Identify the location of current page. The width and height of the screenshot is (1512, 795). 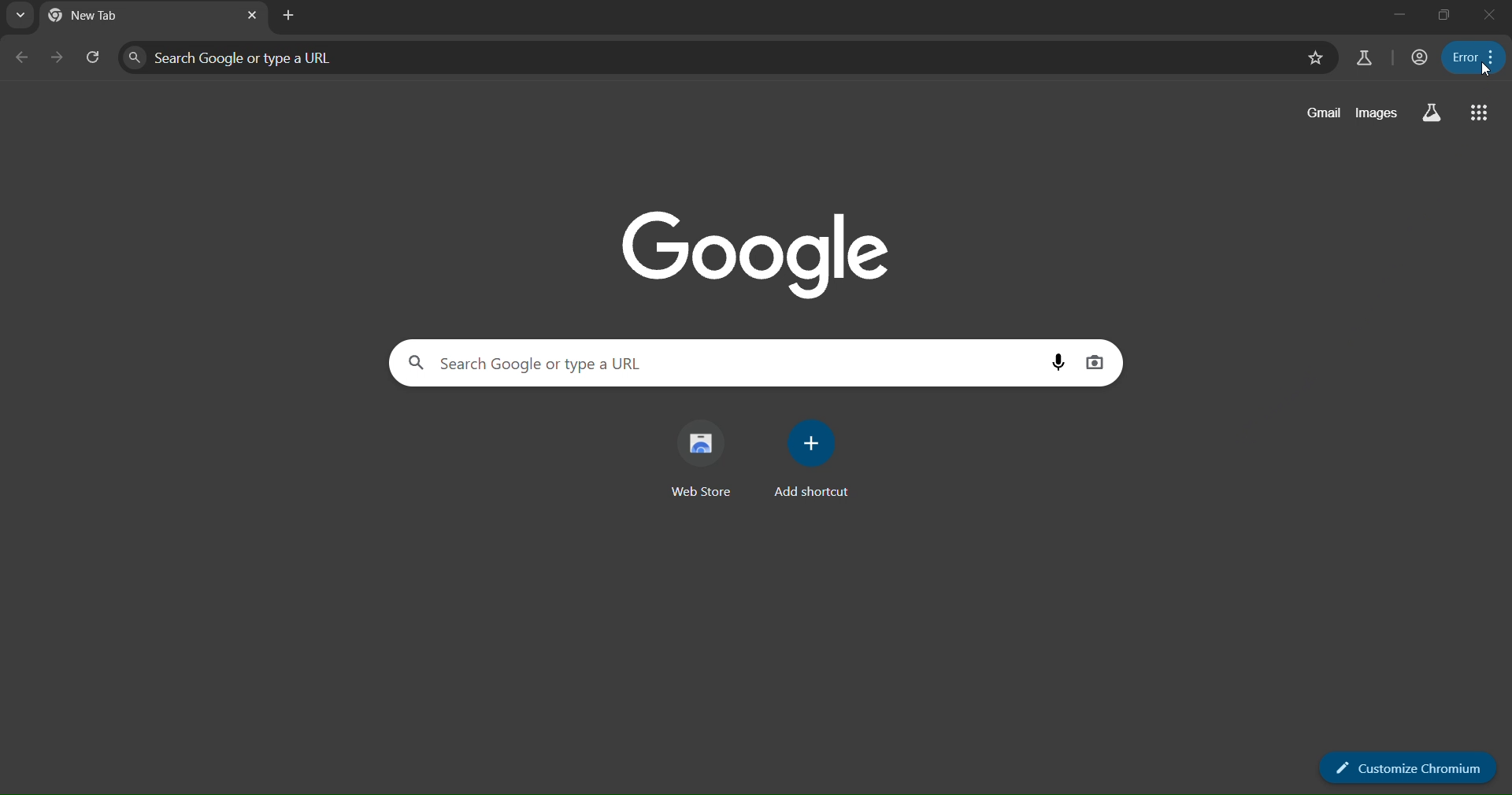
(98, 15).